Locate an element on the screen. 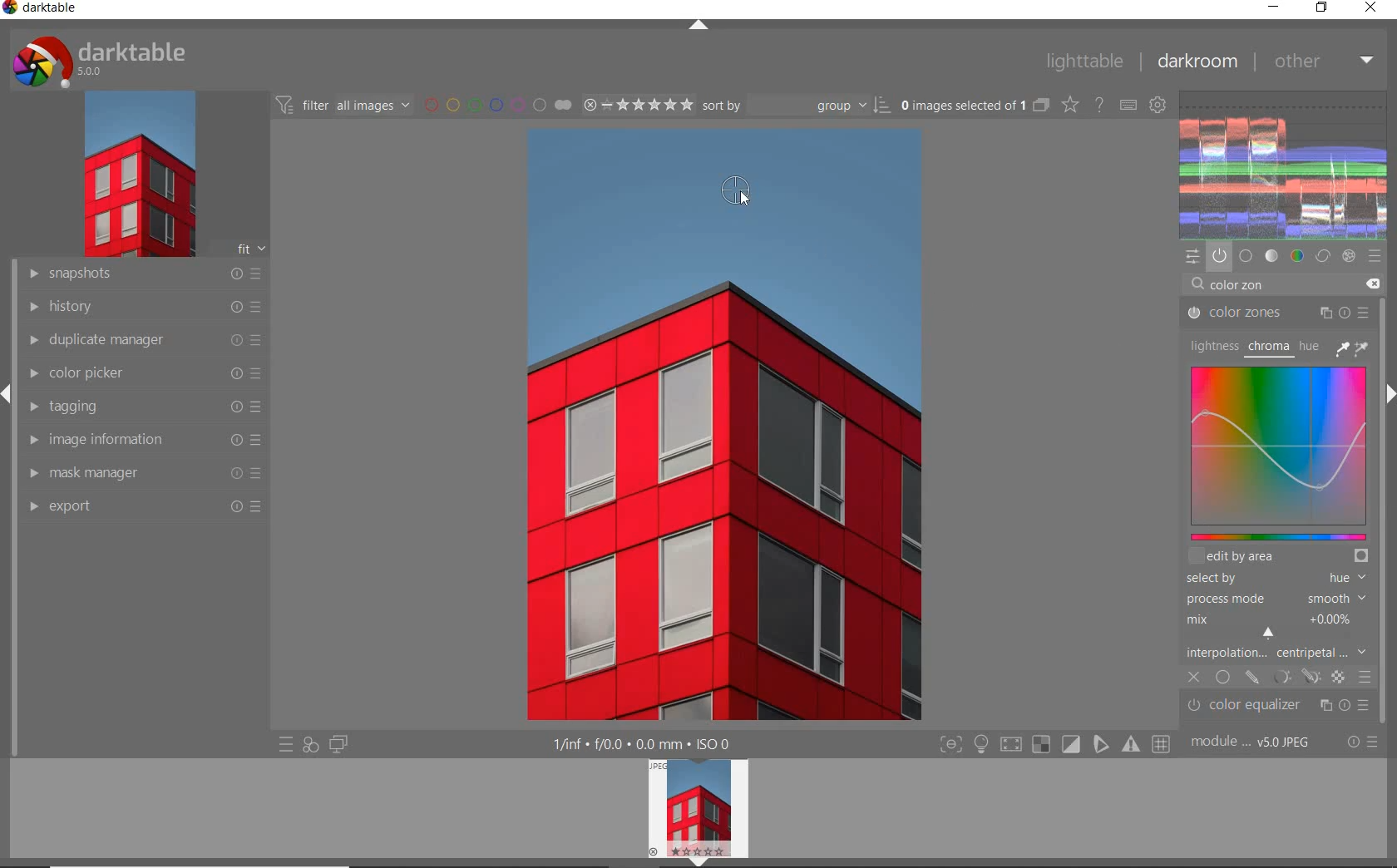  snapshots is located at coordinates (141, 276).